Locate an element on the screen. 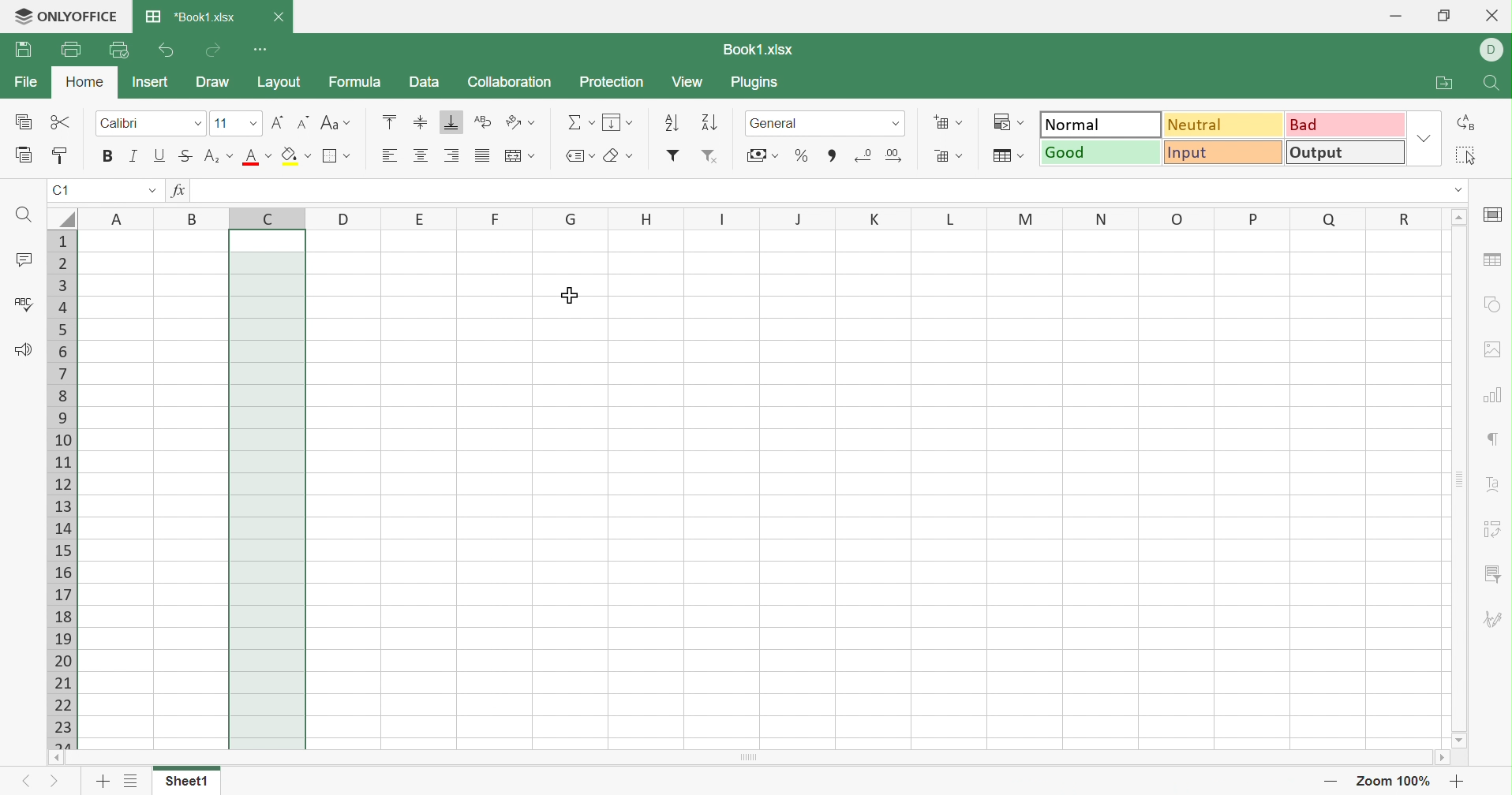  Open file location is located at coordinates (1445, 81).